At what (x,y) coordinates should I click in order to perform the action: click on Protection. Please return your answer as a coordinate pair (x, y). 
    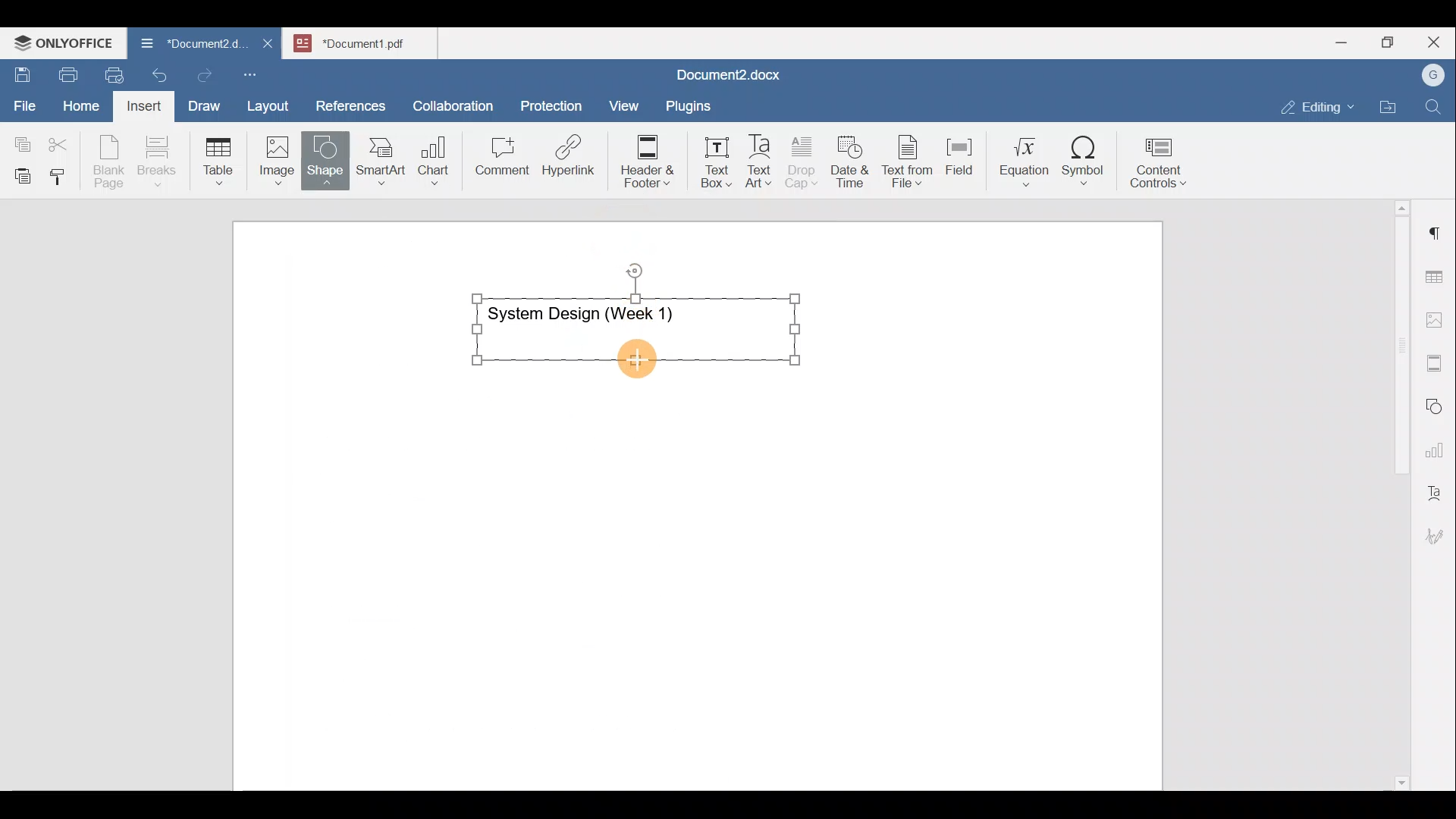
    Looking at the image, I should click on (556, 104).